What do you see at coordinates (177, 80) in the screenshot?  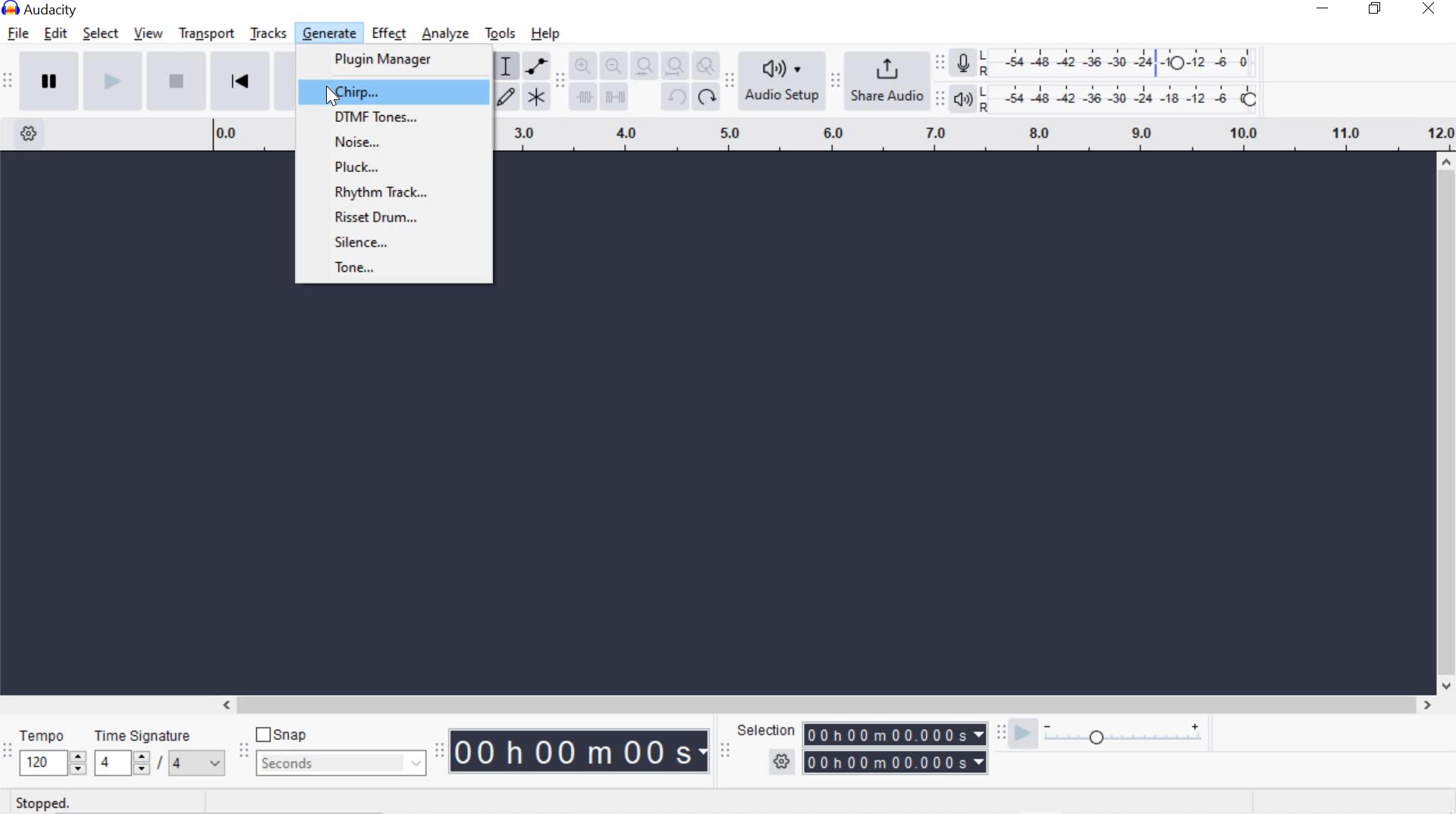 I see `Stop` at bounding box center [177, 80].